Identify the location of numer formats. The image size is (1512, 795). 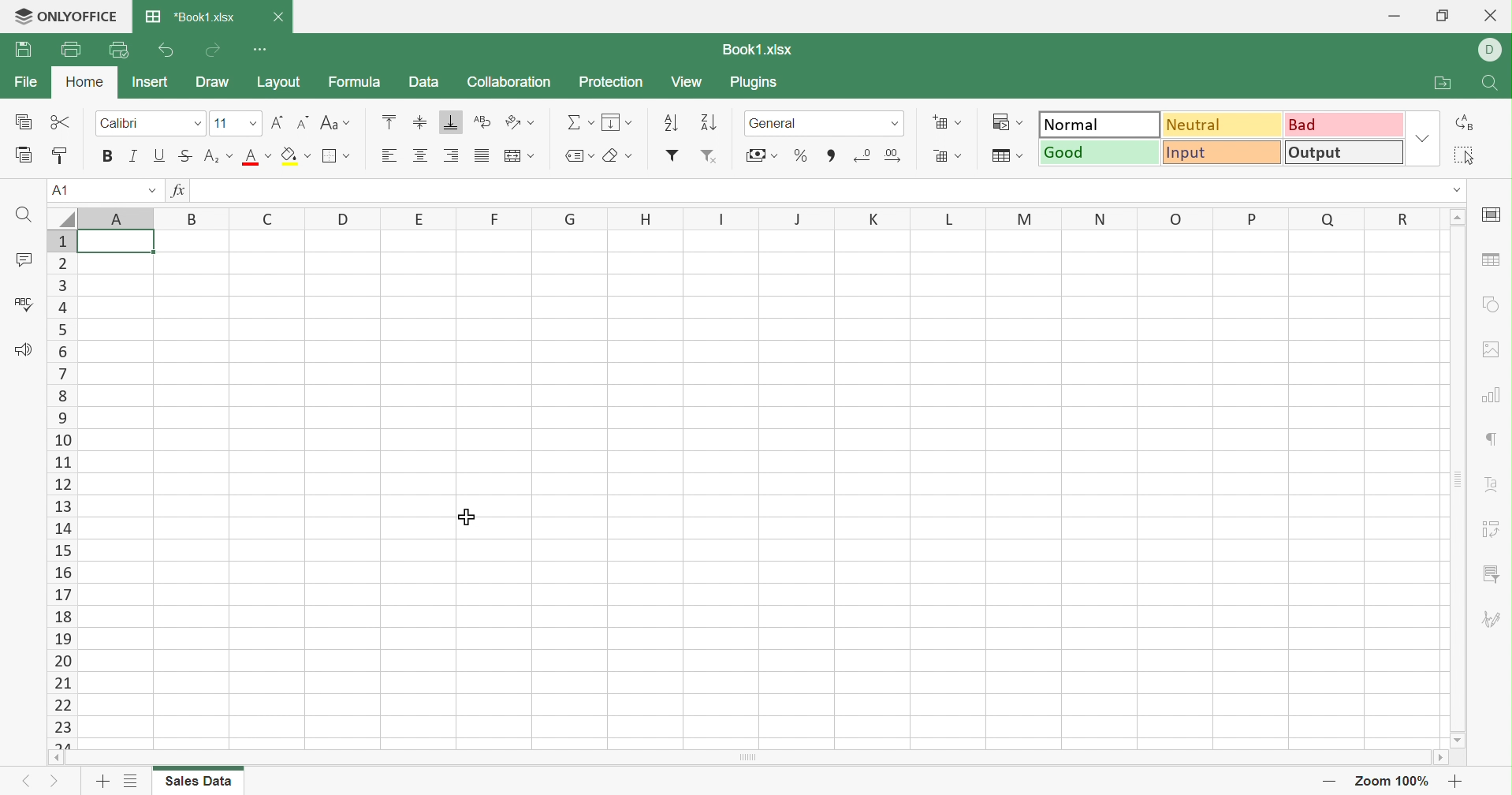
(889, 124).